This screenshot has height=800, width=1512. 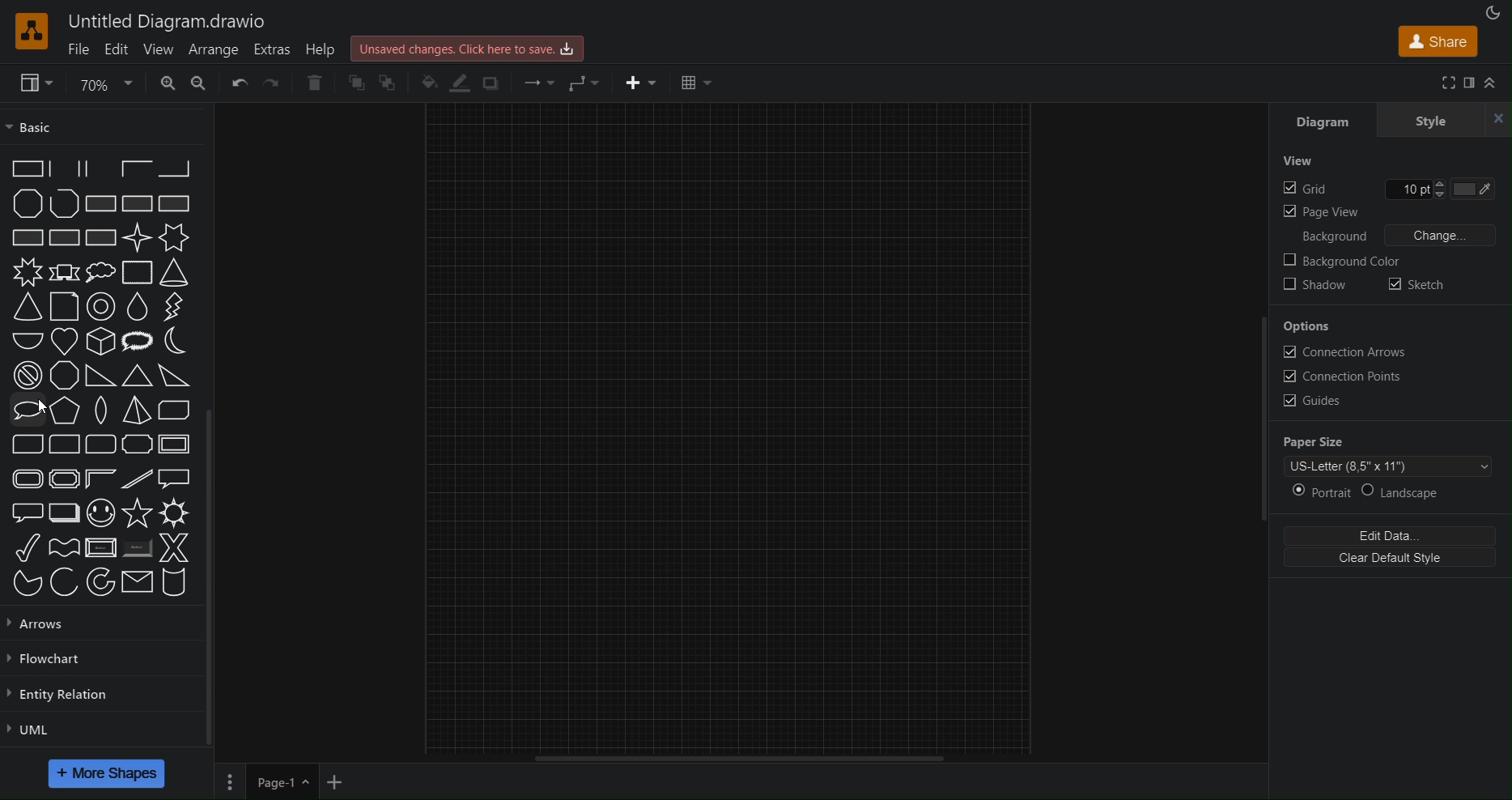 What do you see at coordinates (1257, 452) in the screenshot?
I see `Scrollbar` at bounding box center [1257, 452].